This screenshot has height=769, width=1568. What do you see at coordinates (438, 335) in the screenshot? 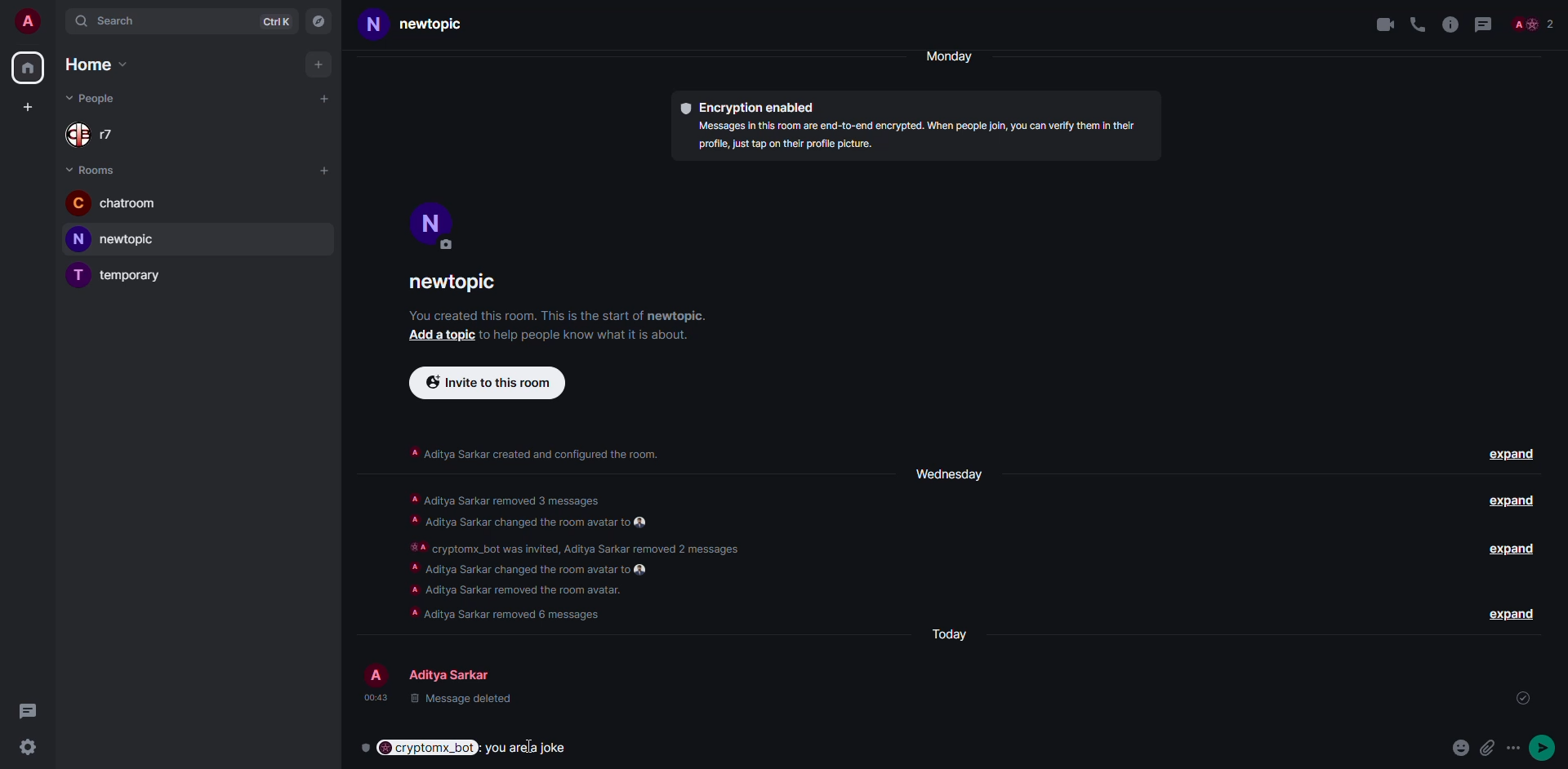
I see `add` at bounding box center [438, 335].